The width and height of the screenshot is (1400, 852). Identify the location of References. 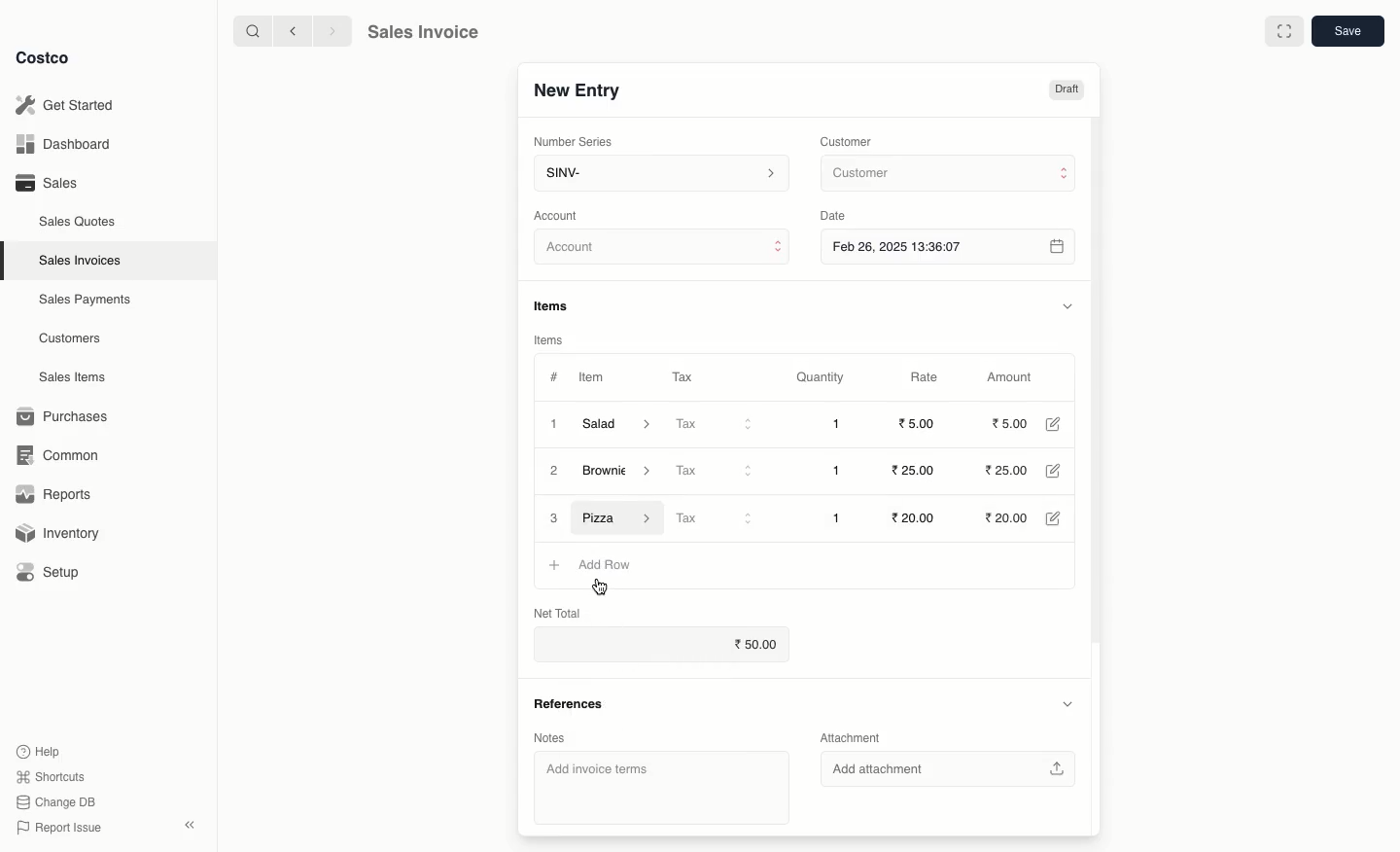
(567, 704).